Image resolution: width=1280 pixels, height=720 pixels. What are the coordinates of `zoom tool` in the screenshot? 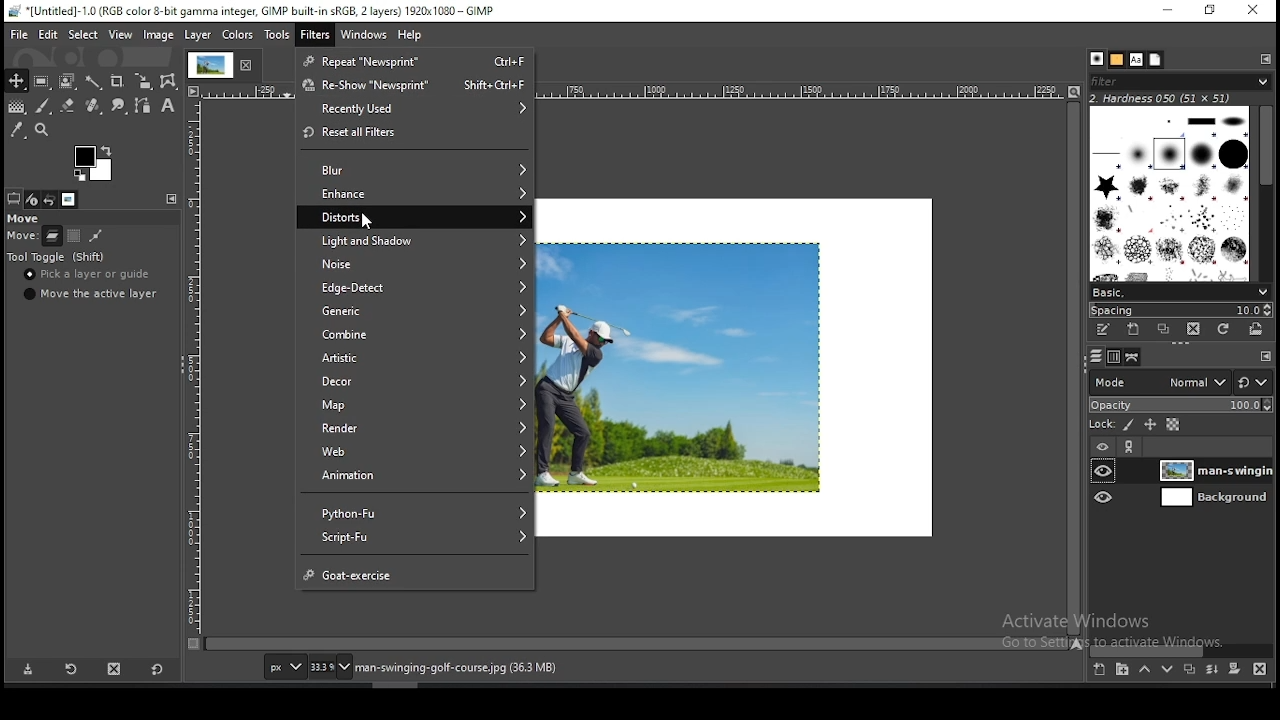 It's located at (41, 129).